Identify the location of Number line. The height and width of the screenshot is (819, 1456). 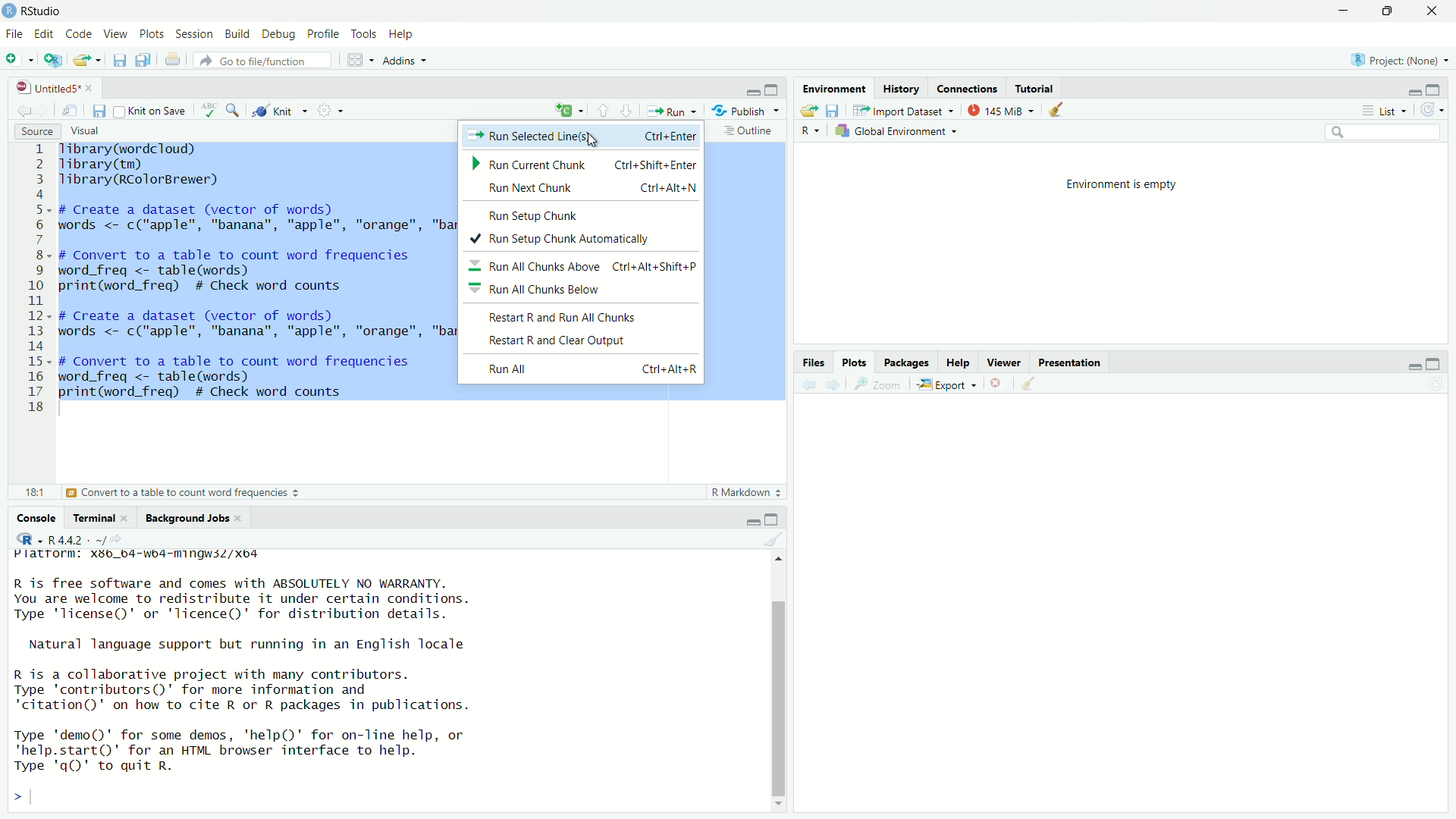
(36, 279).